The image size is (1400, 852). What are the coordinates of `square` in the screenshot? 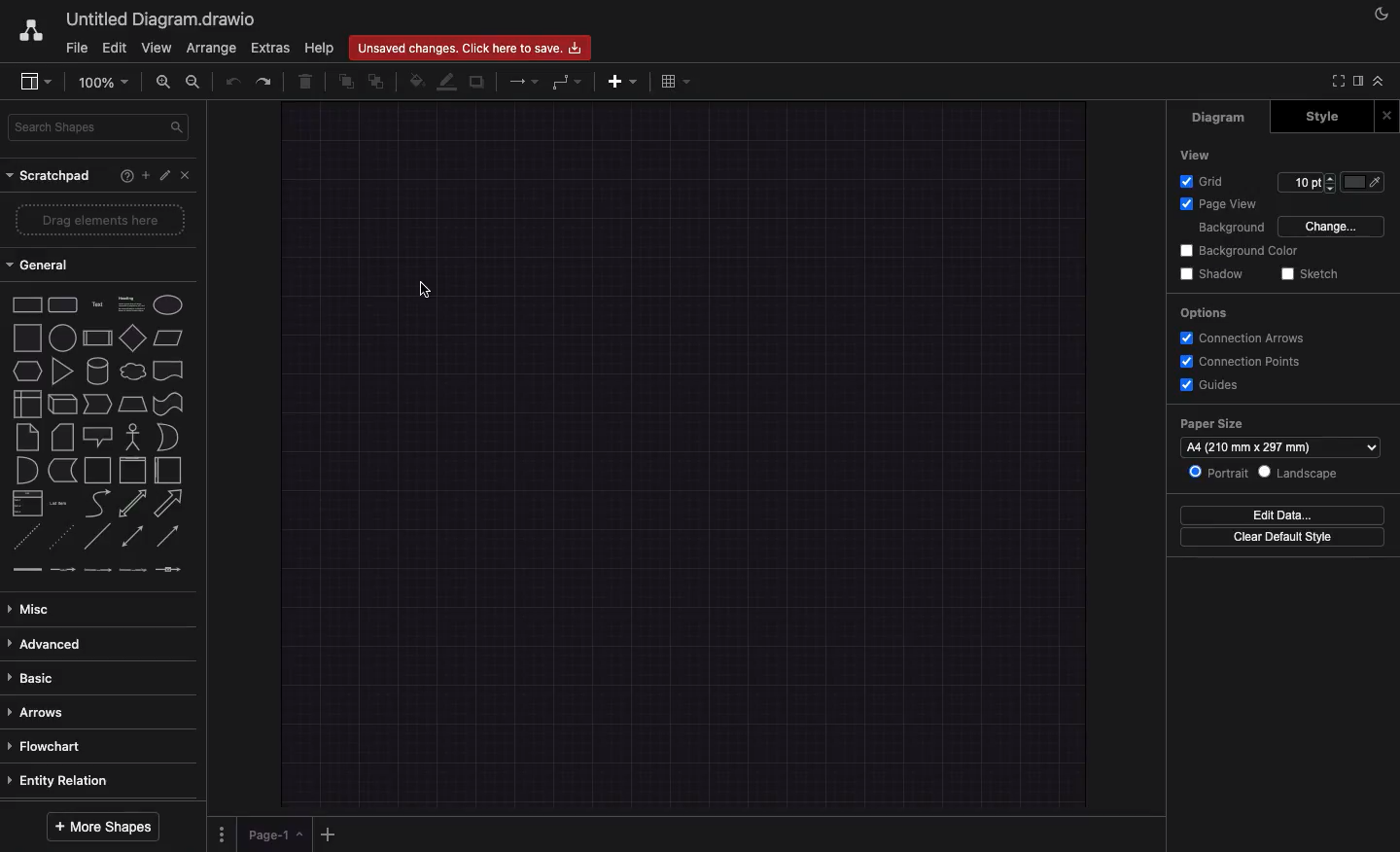 It's located at (26, 338).